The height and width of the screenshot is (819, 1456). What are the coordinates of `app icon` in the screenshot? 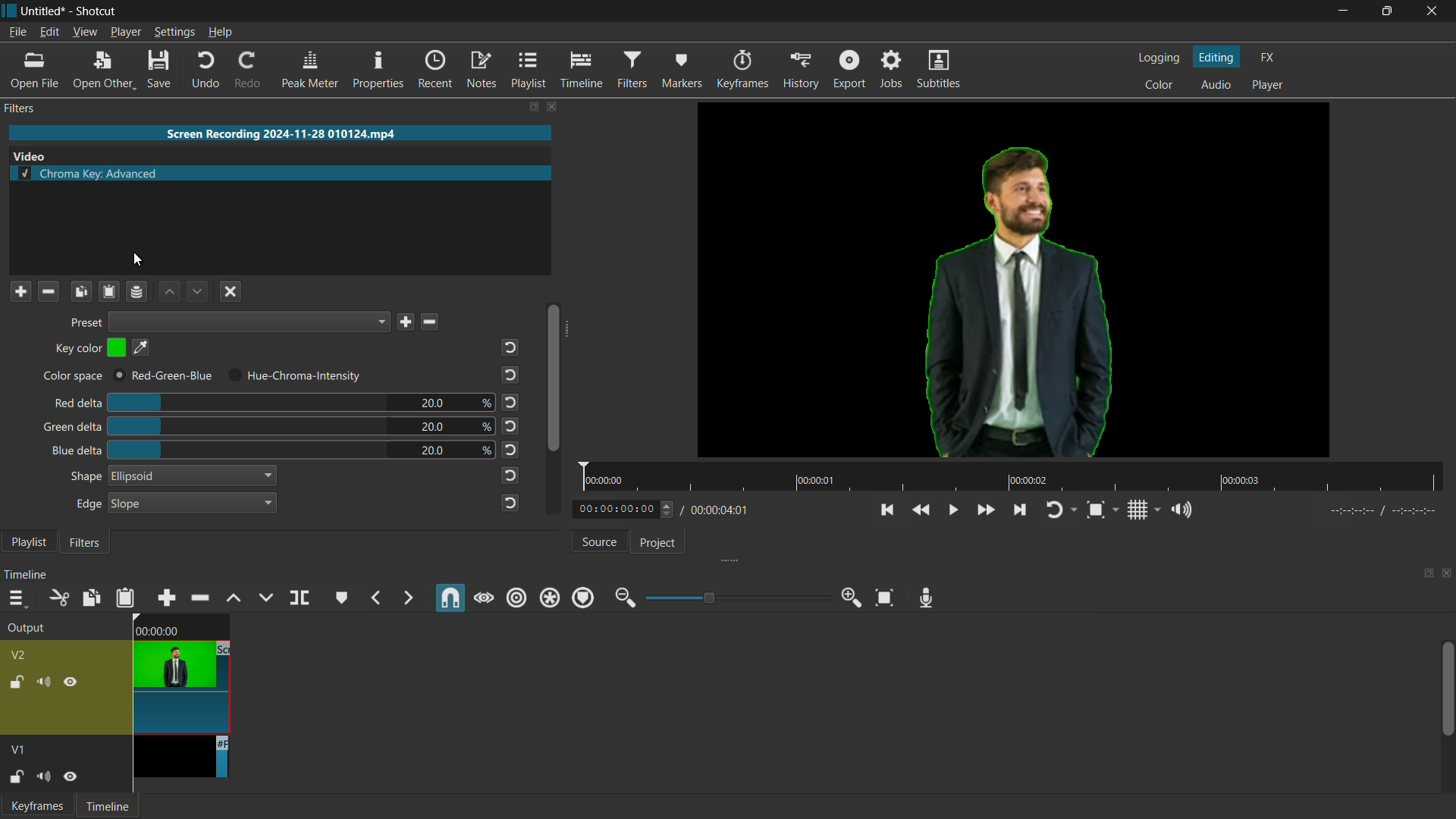 It's located at (9, 11).